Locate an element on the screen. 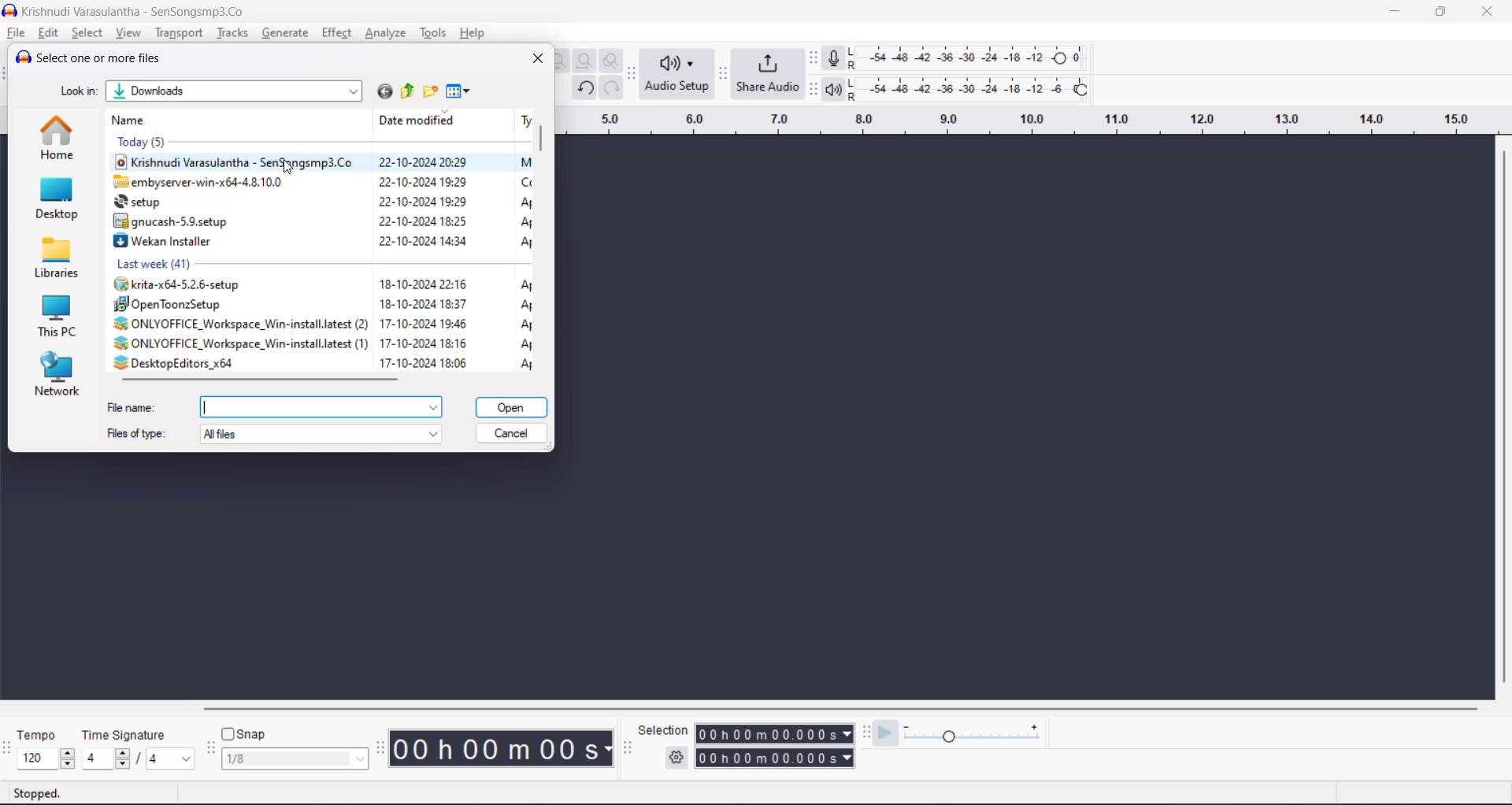 The width and height of the screenshot is (1512, 805). time signature is located at coordinates (129, 736).